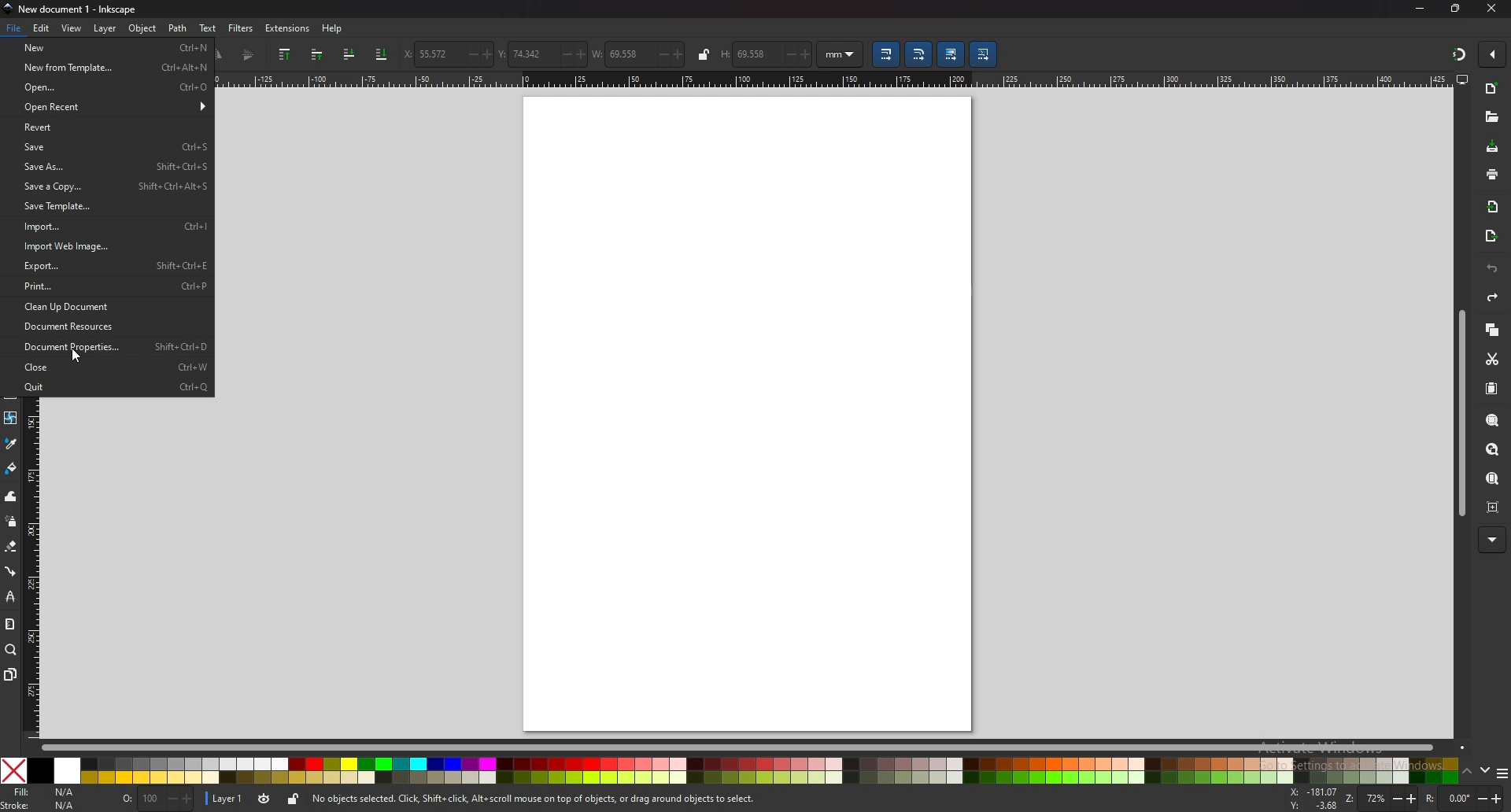 This screenshot has width=1511, height=812. Describe the element at coordinates (11, 467) in the screenshot. I see `paint bucket` at that location.